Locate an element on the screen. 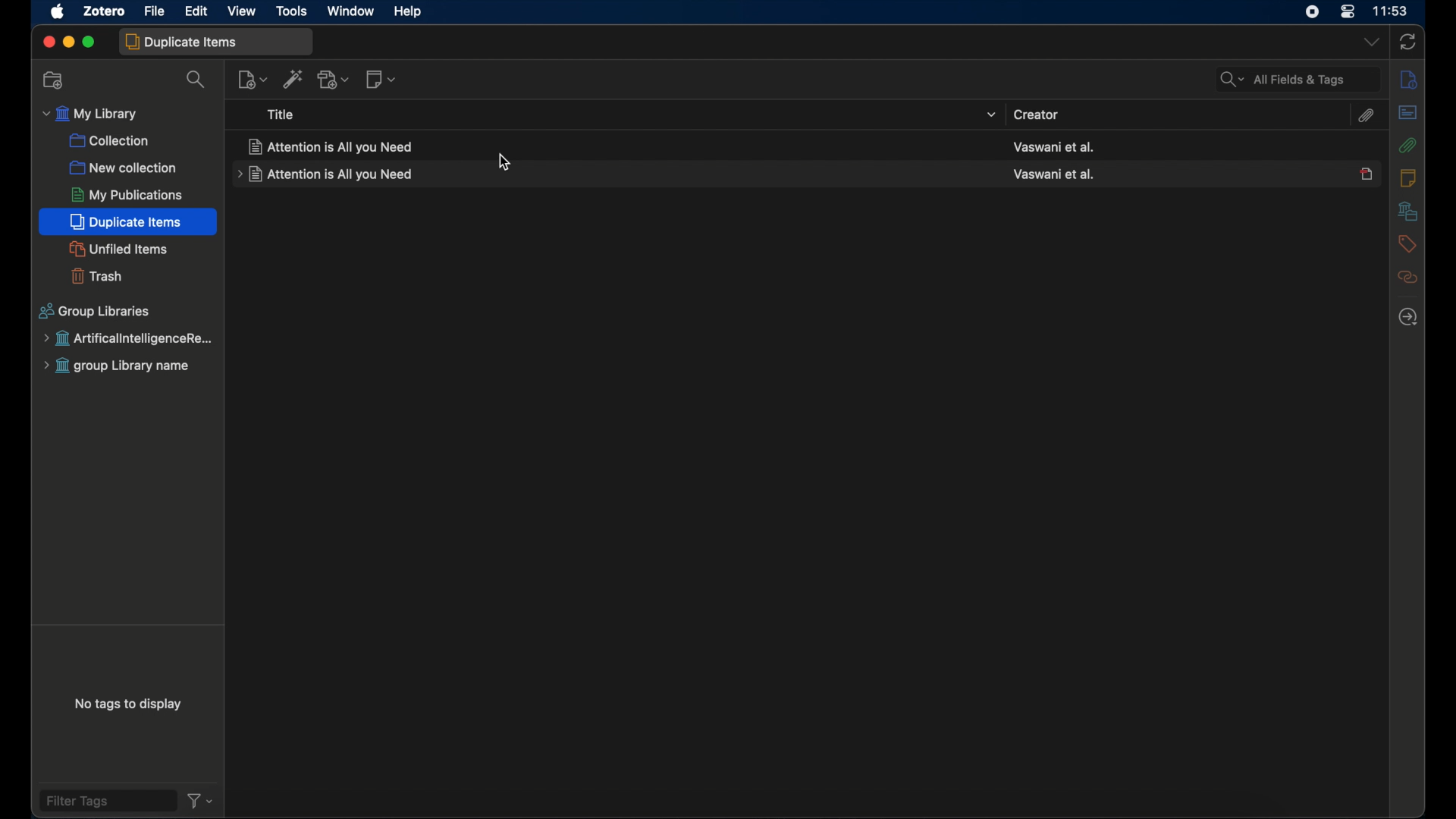  attachments is located at coordinates (1365, 115).